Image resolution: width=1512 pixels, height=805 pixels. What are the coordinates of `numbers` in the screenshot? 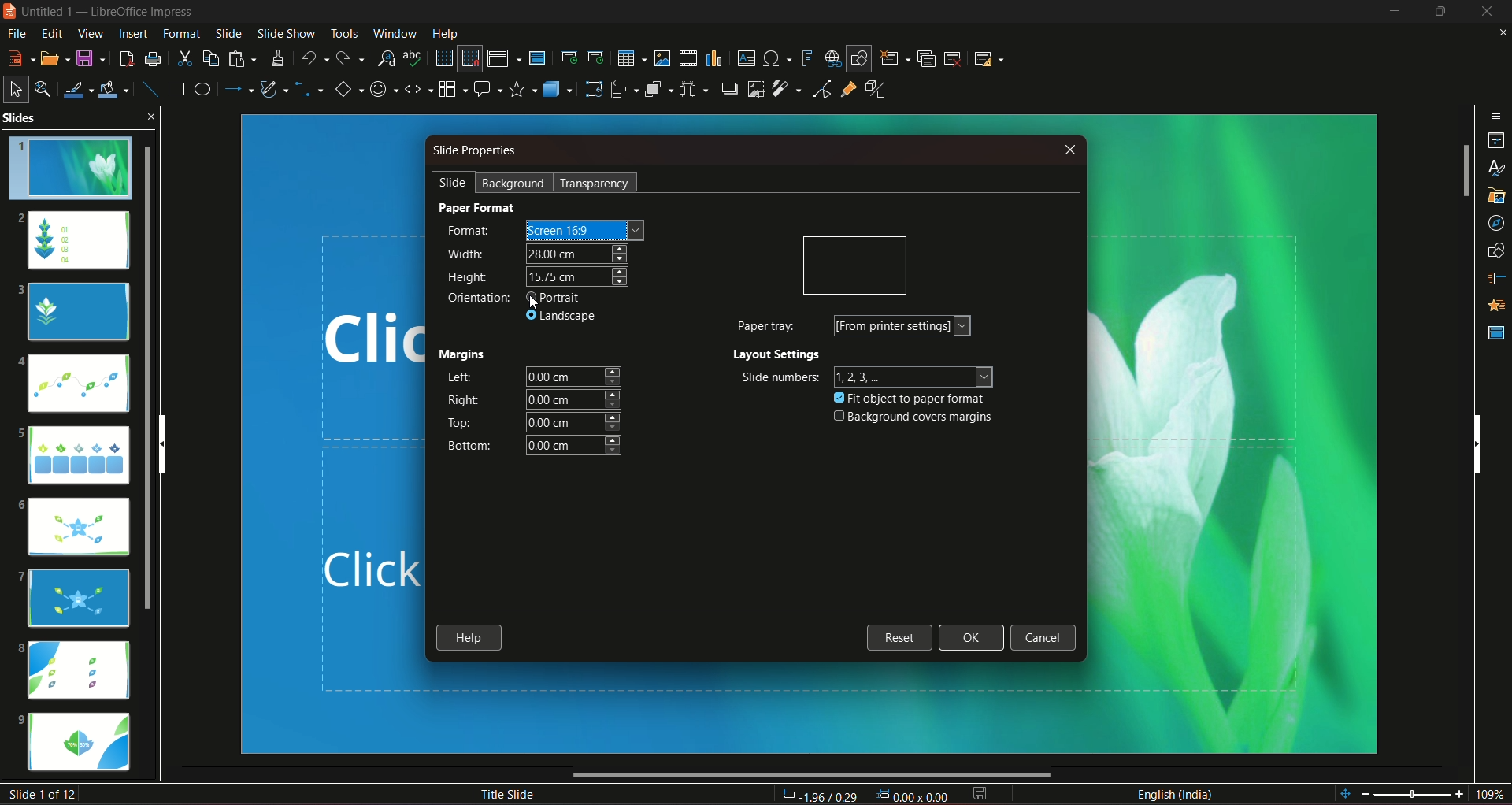 It's located at (917, 376).